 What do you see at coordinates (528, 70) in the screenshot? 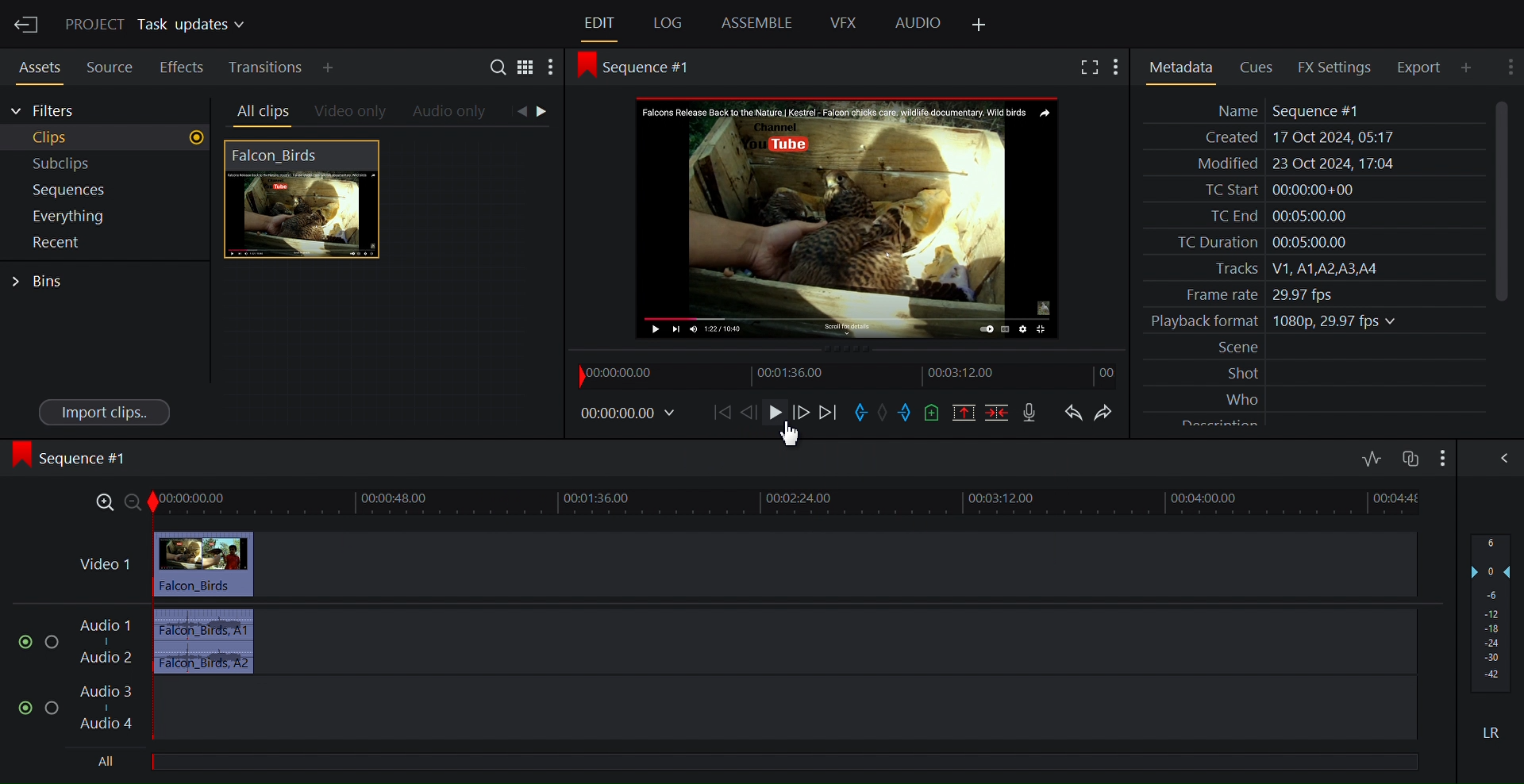
I see `Toggle between list and tile view` at bounding box center [528, 70].